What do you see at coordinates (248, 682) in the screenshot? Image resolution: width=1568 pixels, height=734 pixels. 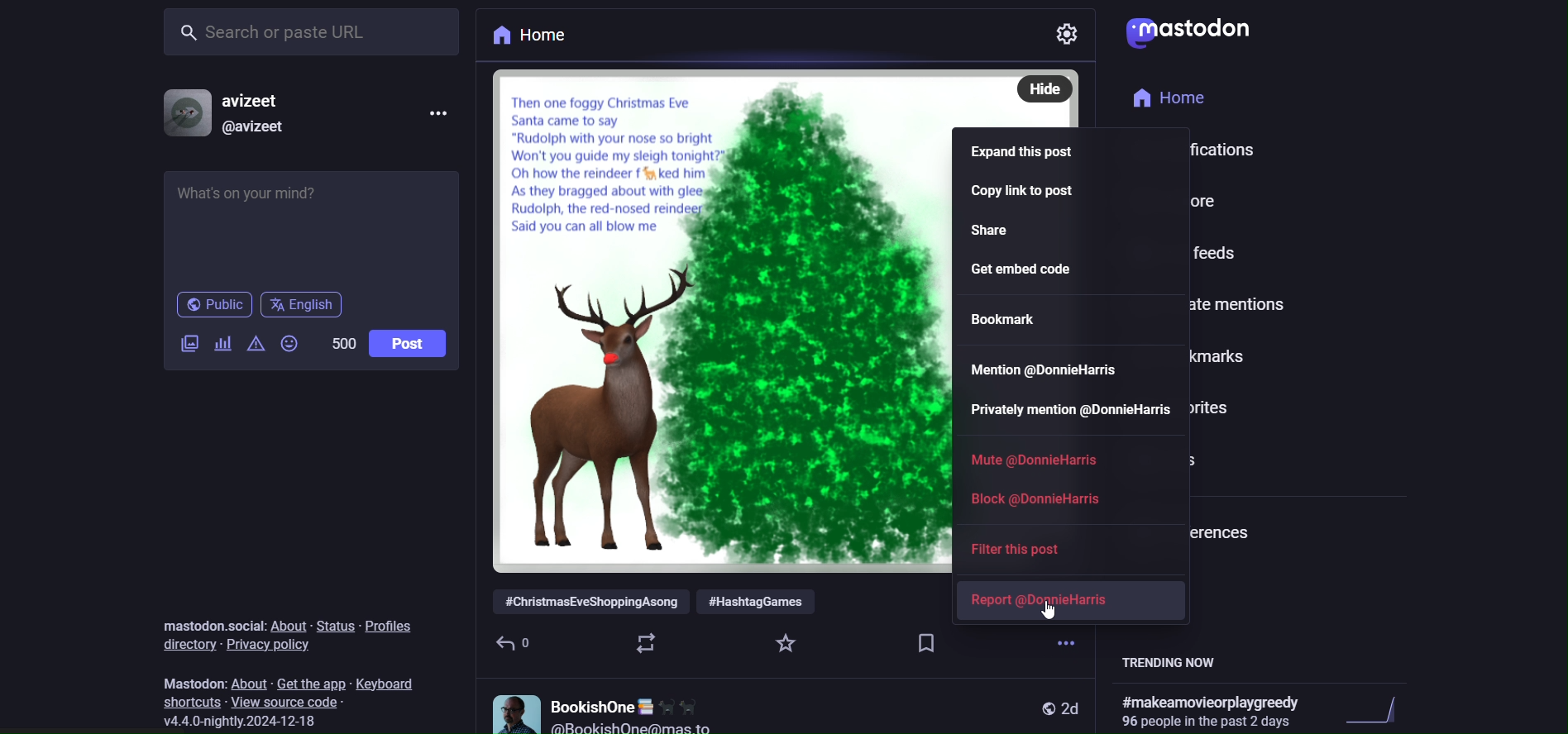 I see `about` at bounding box center [248, 682].